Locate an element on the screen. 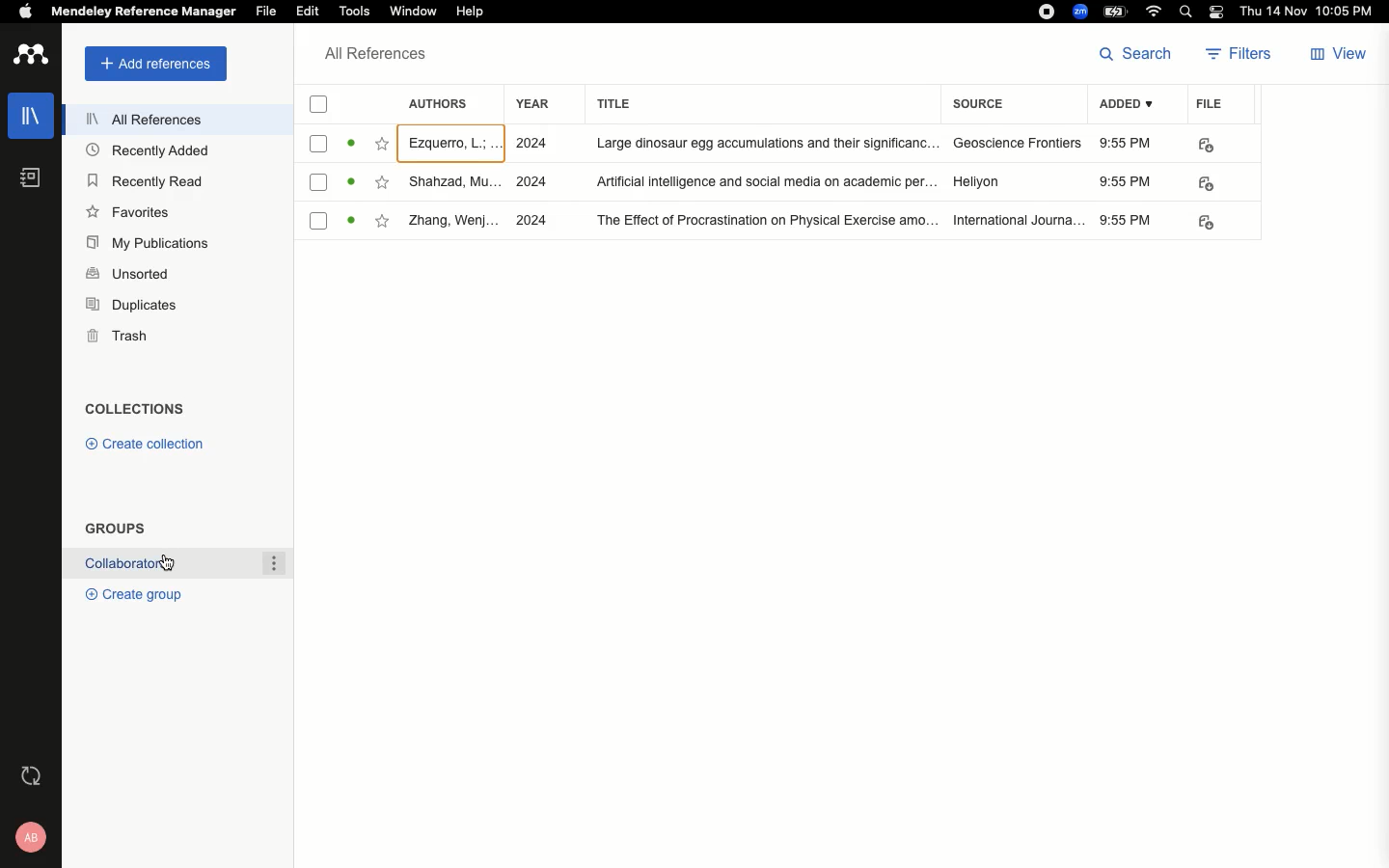 The width and height of the screenshot is (1389, 868). Recently read is located at coordinates (146, 182).